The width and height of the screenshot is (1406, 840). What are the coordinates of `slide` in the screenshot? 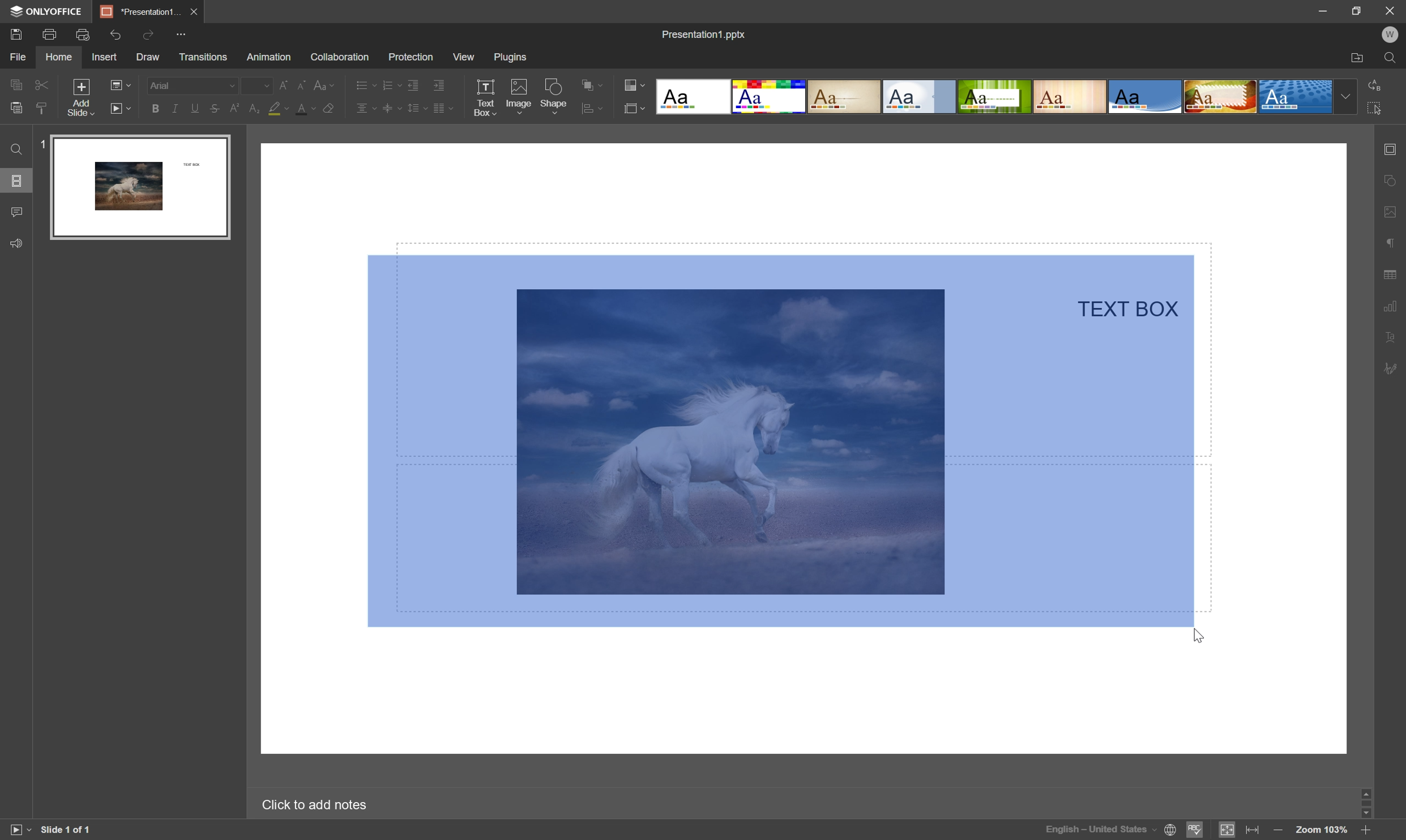 It's located at (140, 187).